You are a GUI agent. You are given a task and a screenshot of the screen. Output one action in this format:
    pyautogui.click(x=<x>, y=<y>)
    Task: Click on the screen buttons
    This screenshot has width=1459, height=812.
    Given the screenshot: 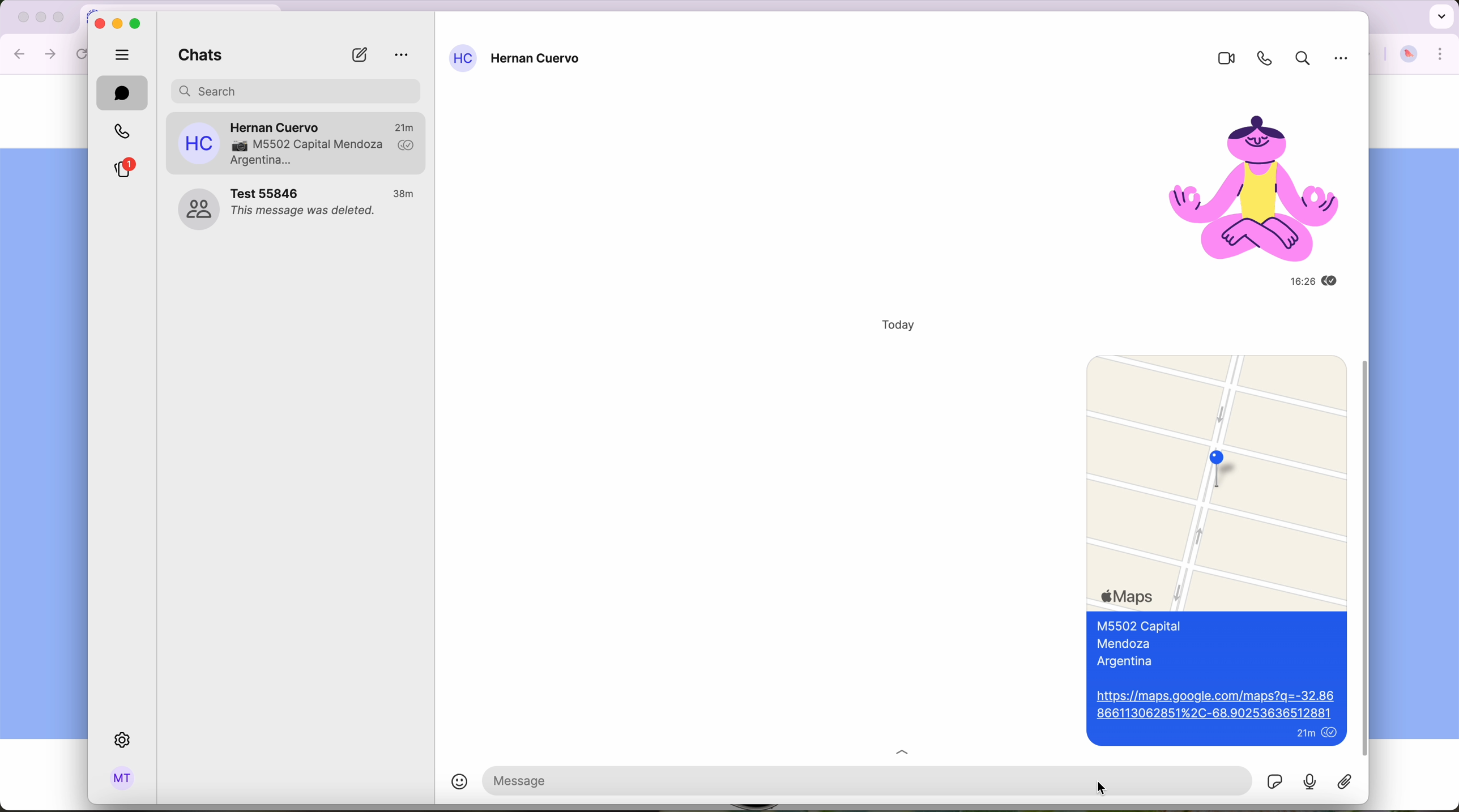 What is the action you would take?
    pyautogui.click(x=39, y=18)
    